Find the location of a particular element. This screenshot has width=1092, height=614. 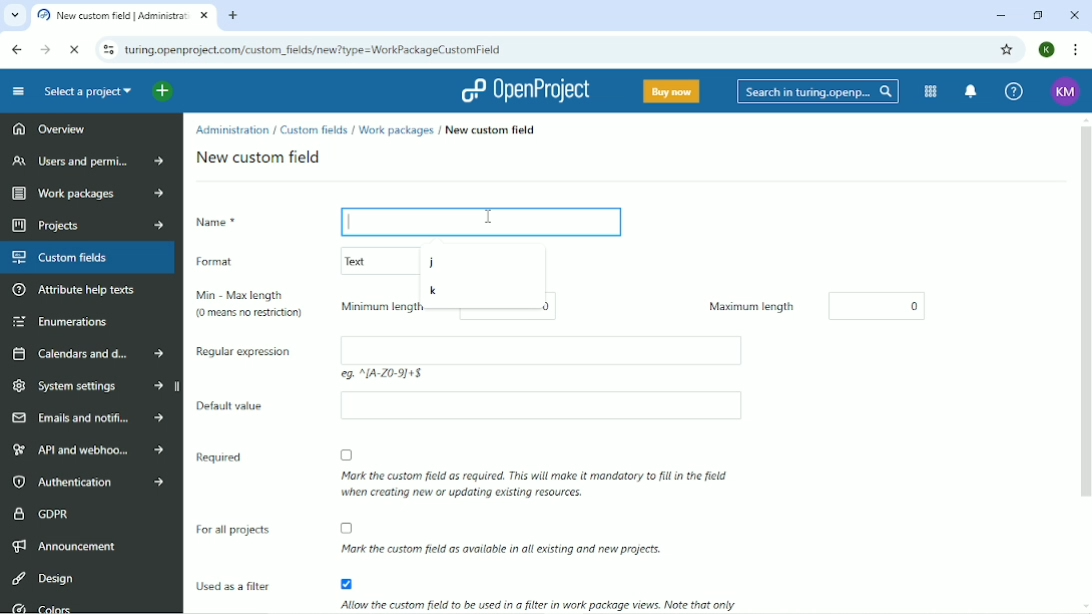

Open quick add menu is located at coordinates (175, 91).